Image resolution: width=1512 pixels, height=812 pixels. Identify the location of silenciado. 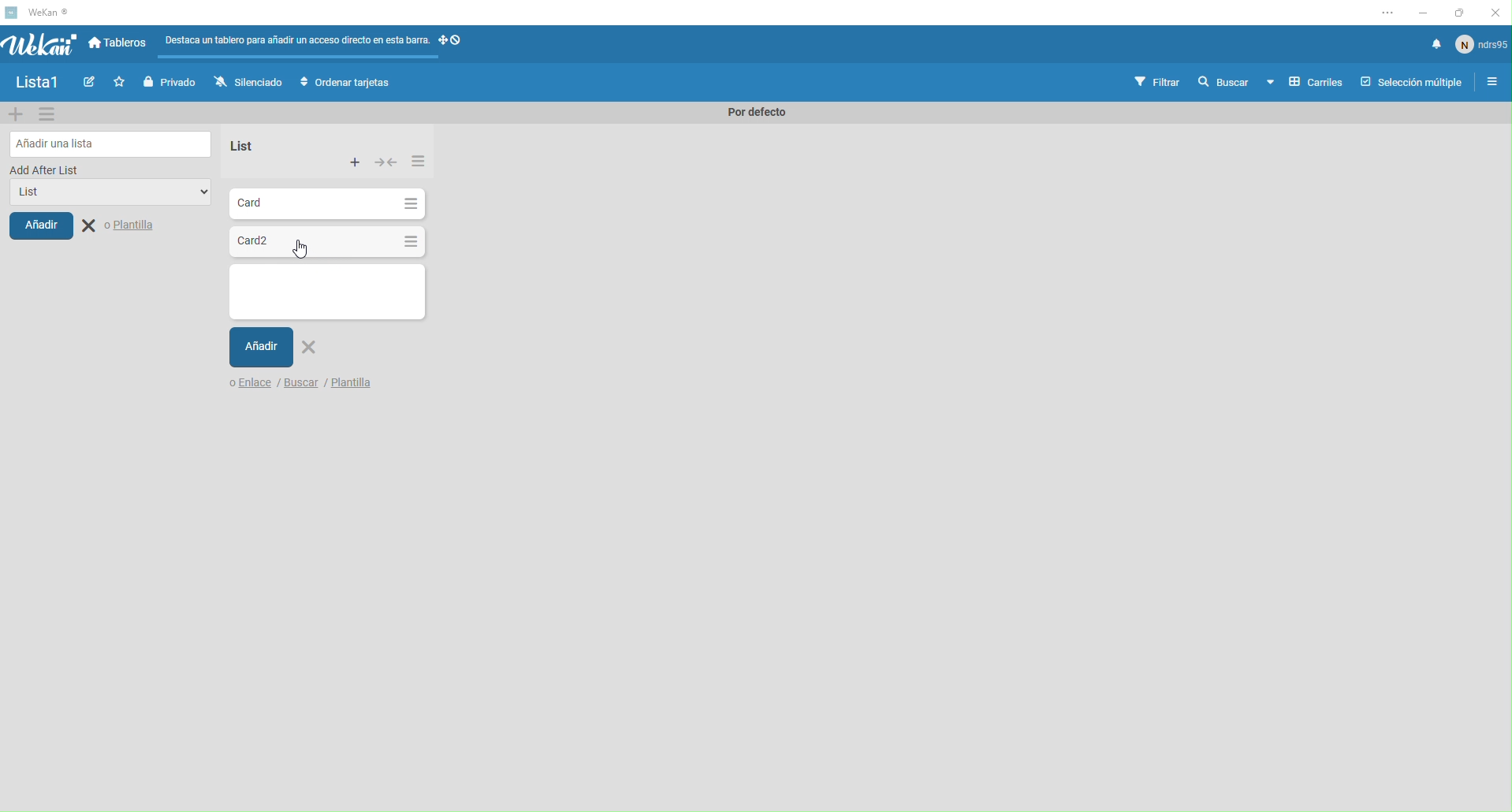
(244, 82).